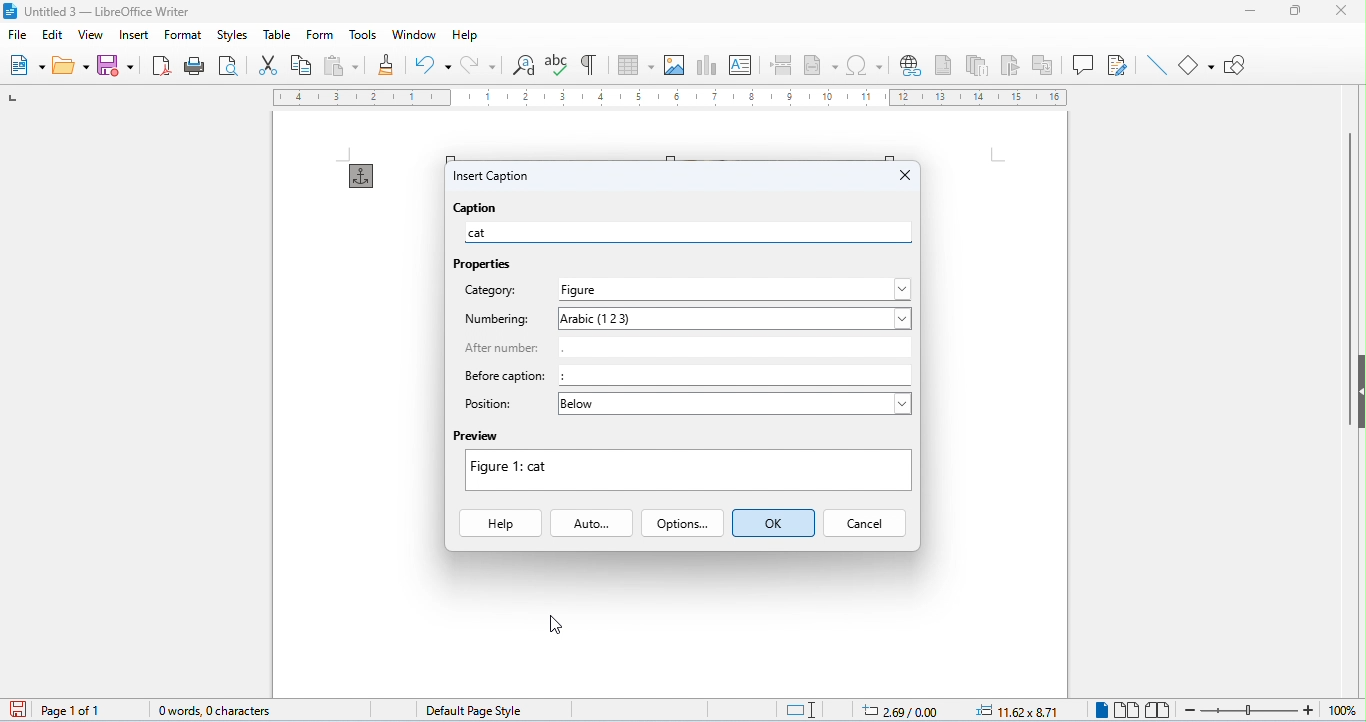 The image size is (1366, 722). Describe the element at coordinates (867, 523) in the screenshot. I see `cancel` at that location.